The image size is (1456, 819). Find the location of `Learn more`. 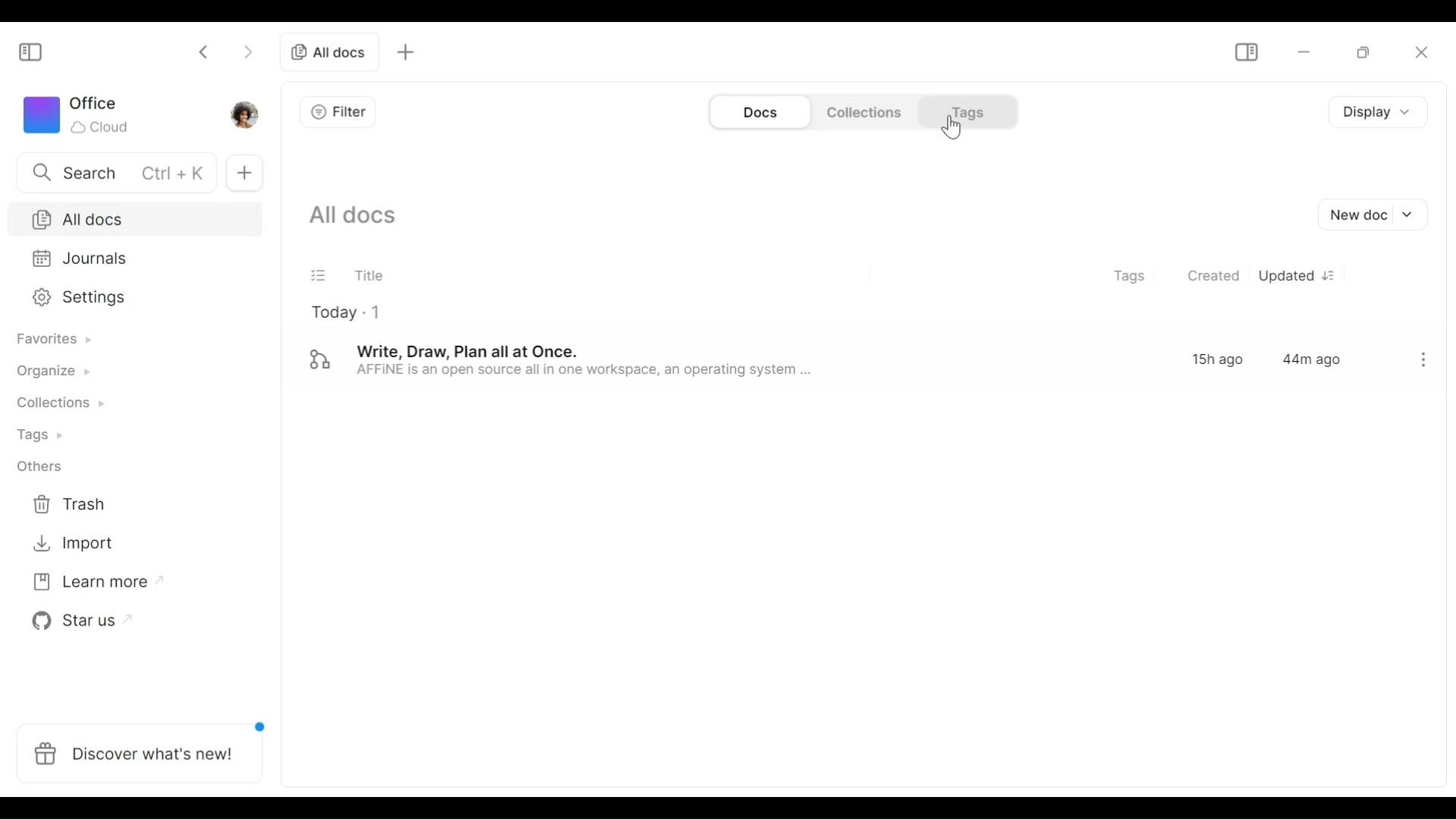

Learn more is located at coordinates (88, 585).